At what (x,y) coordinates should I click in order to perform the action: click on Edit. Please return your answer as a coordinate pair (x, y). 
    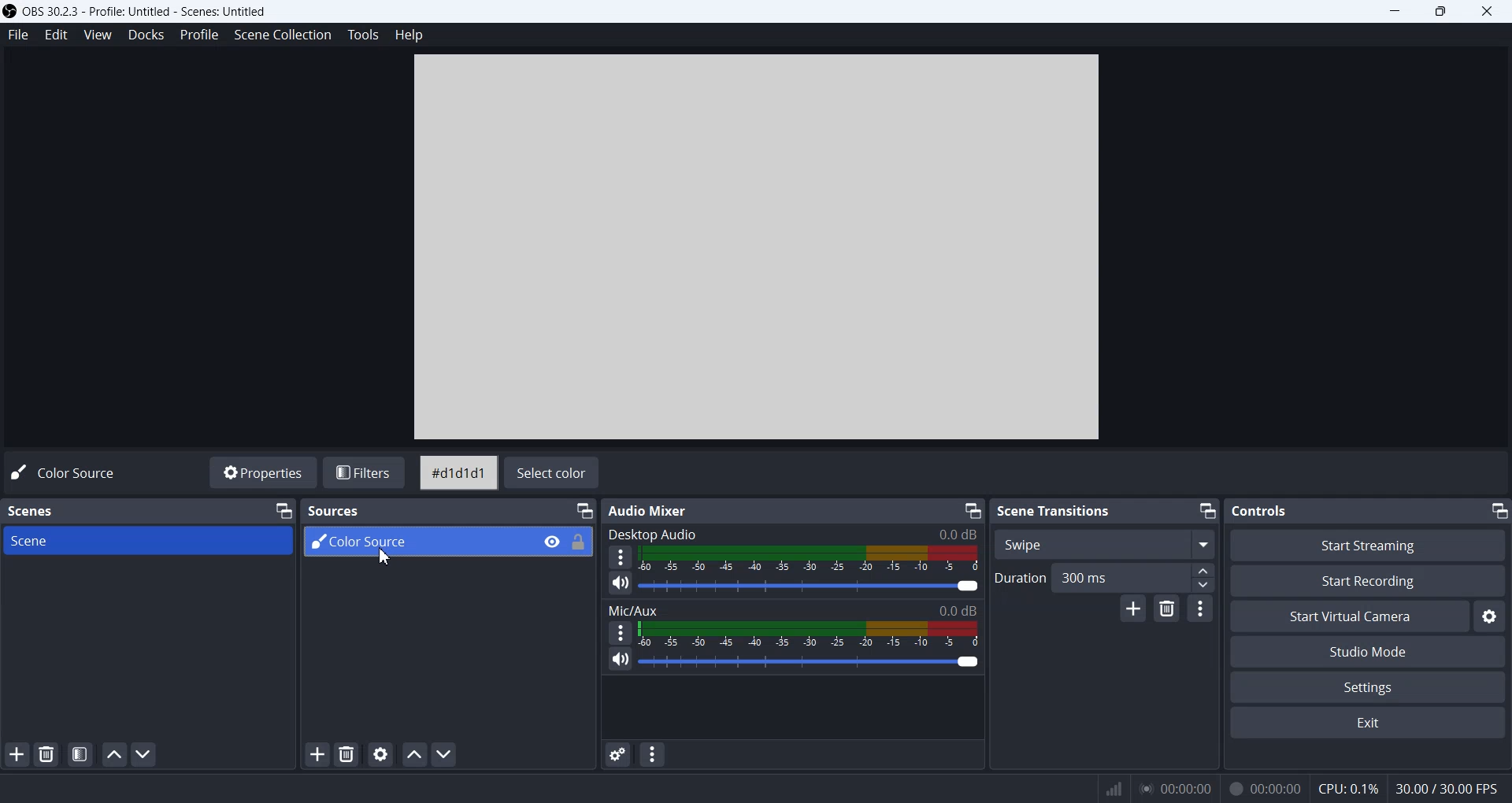
    Looking at the image, I should click on (56, 34).